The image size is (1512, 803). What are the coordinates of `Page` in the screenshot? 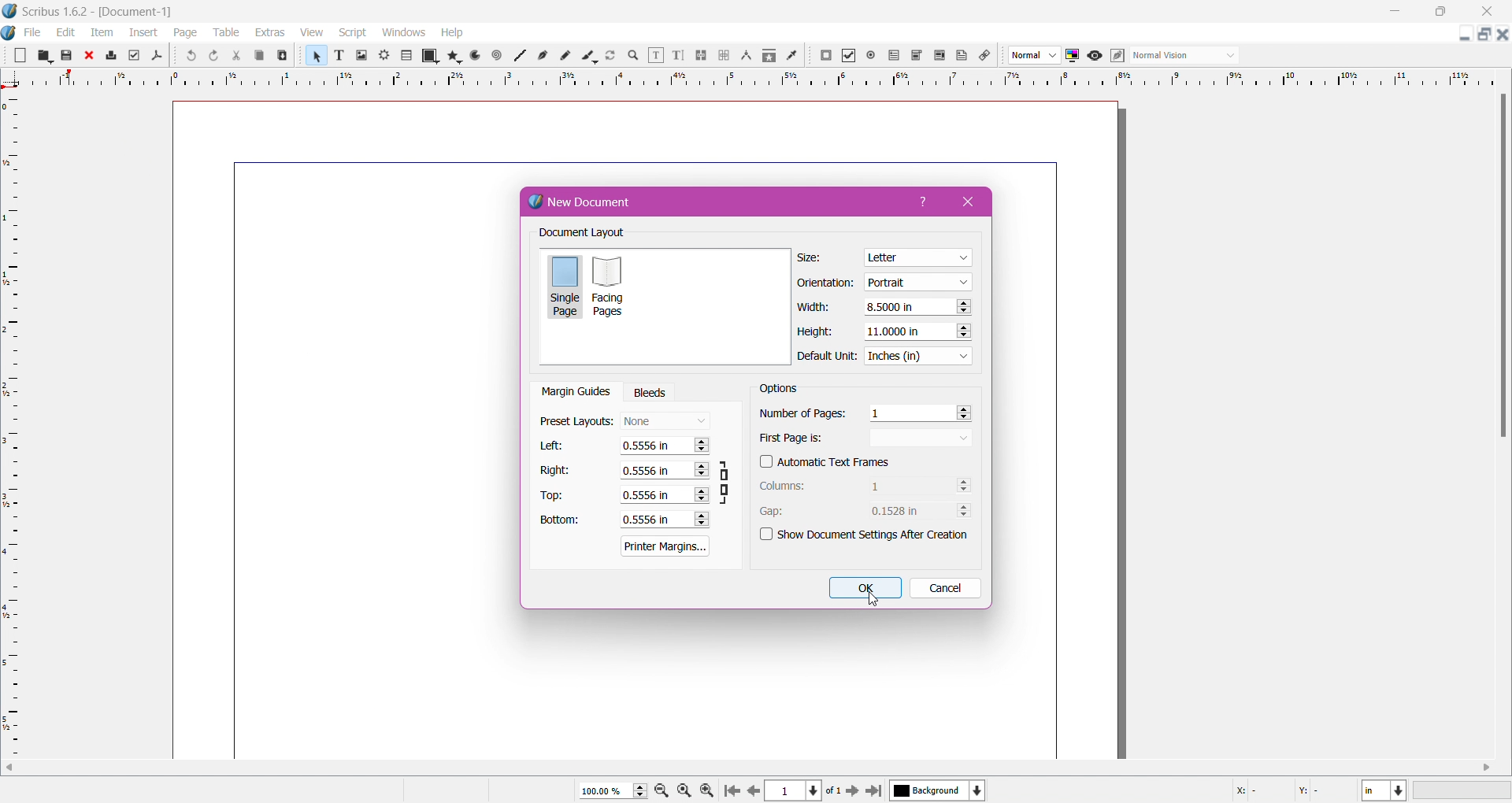 It's located at (186, 32).